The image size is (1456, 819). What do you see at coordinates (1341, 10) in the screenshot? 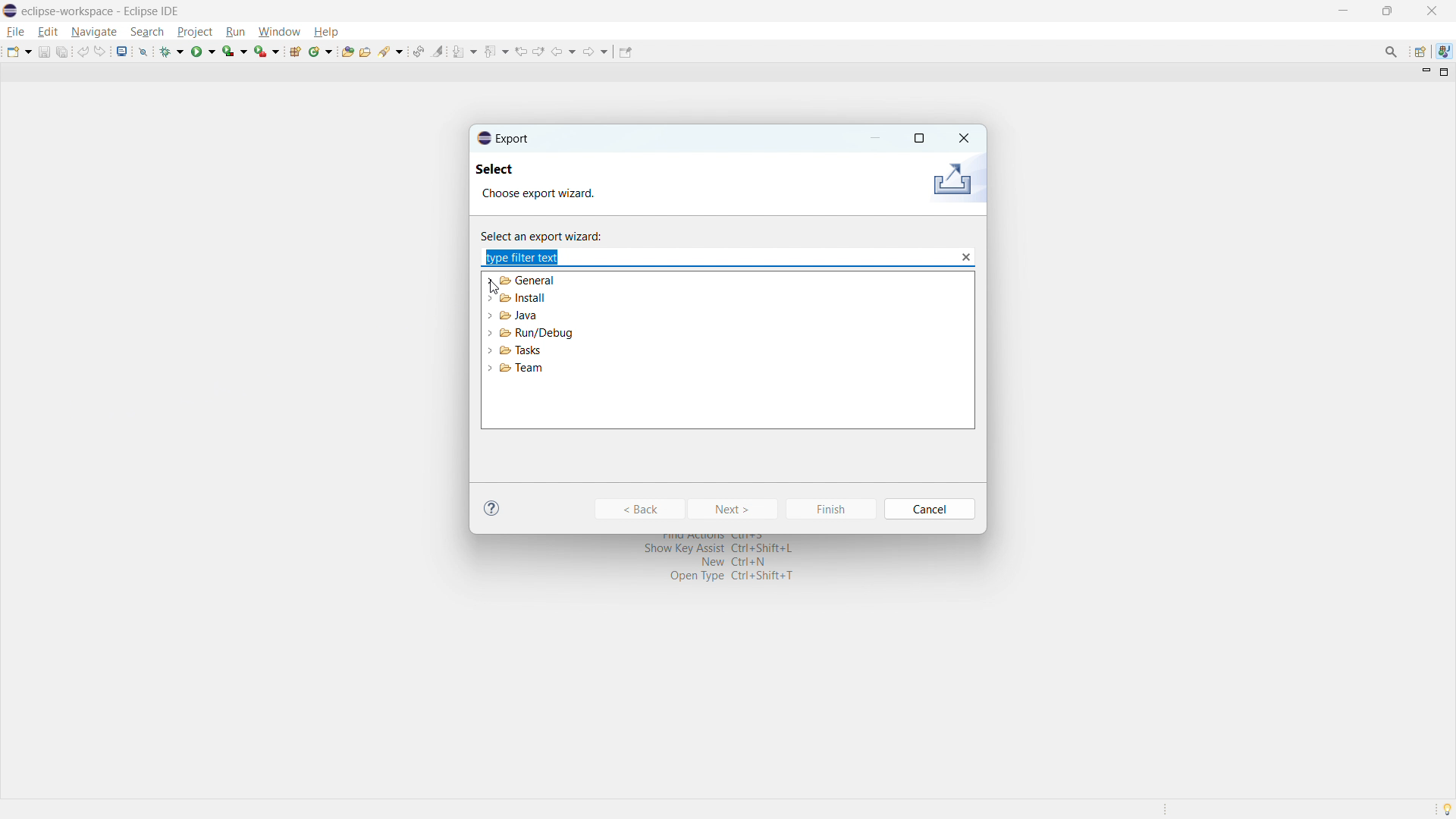
I see `minimize` at bounding box center [1341, 10].